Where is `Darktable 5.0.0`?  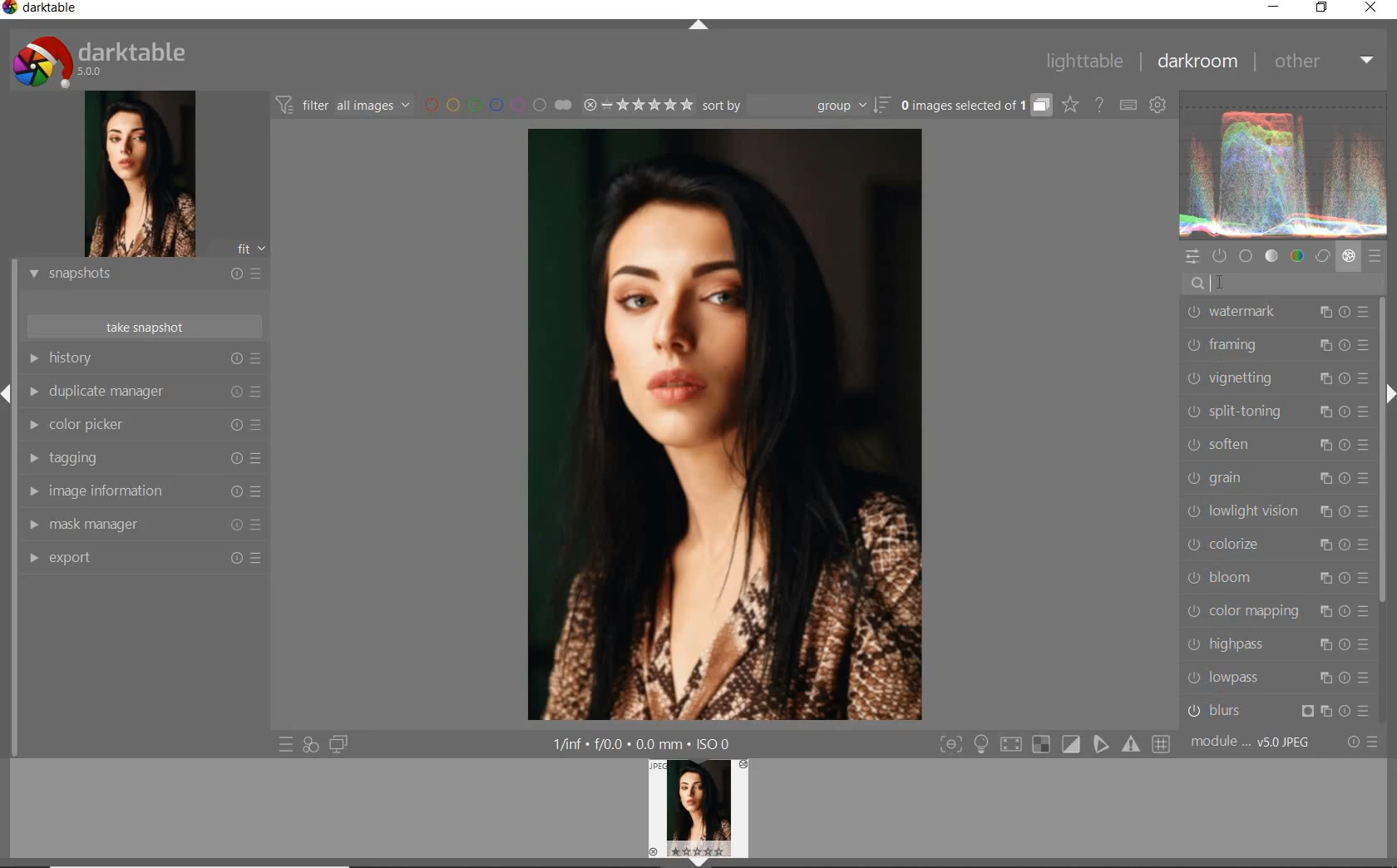
Darktable 5.0.0 is located at coordinates (99, 61).